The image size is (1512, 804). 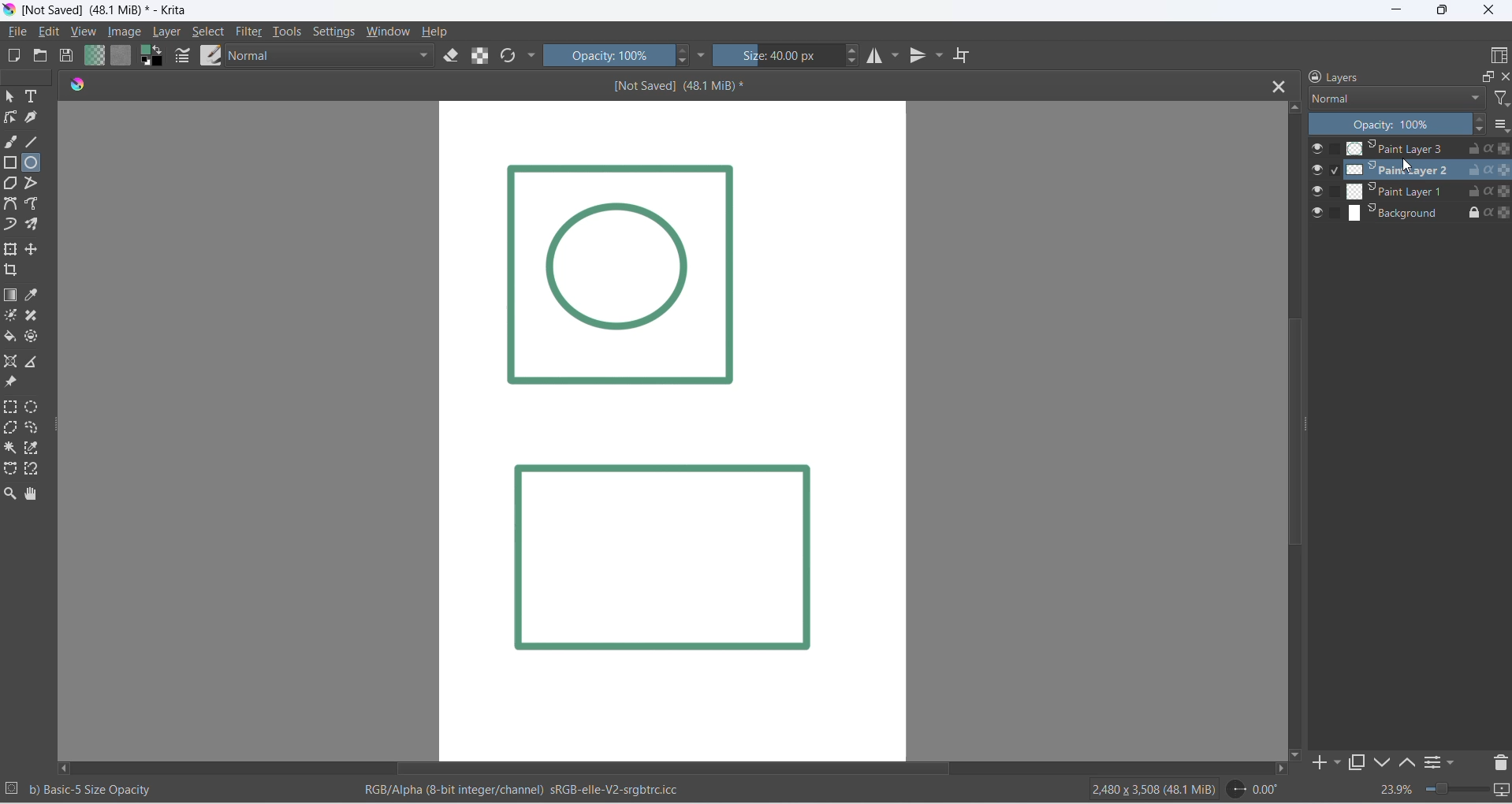 I want to click on visibilty, so click(x=1317, y=213).